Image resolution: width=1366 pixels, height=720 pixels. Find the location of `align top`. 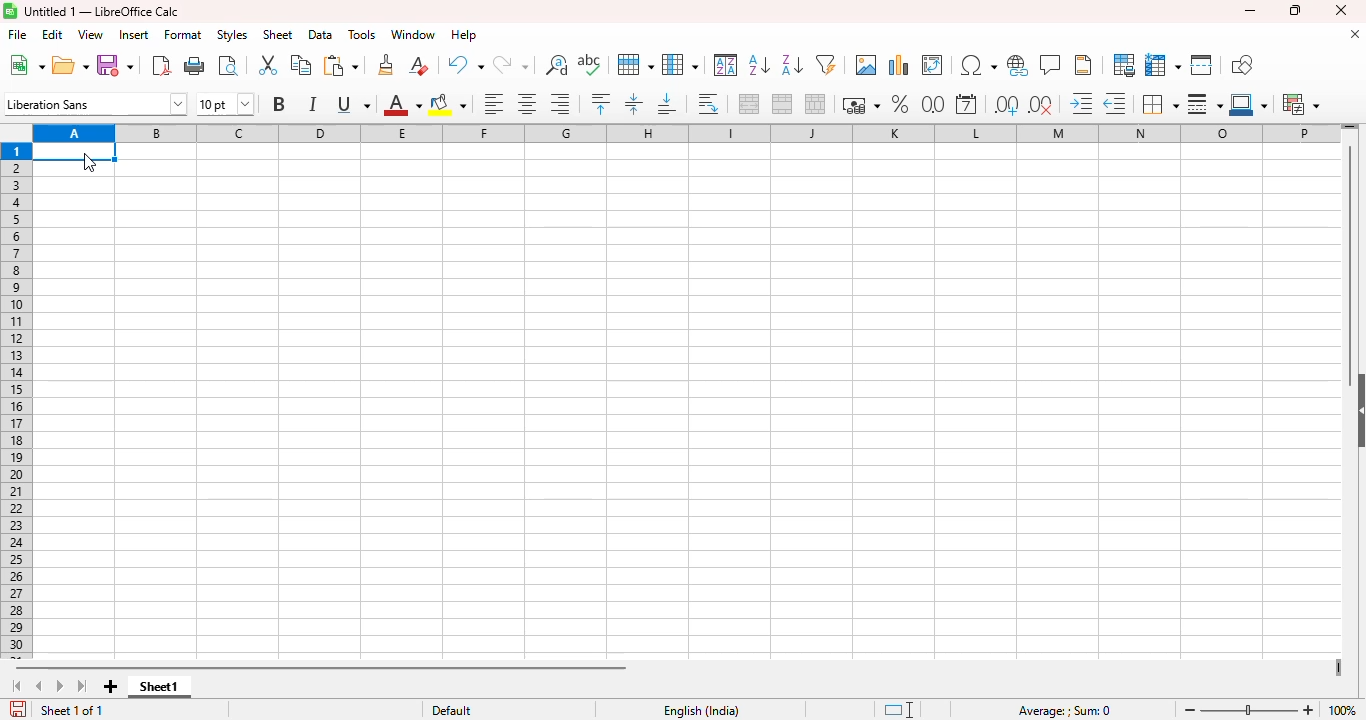

align top is located at coordinates (600, 103).